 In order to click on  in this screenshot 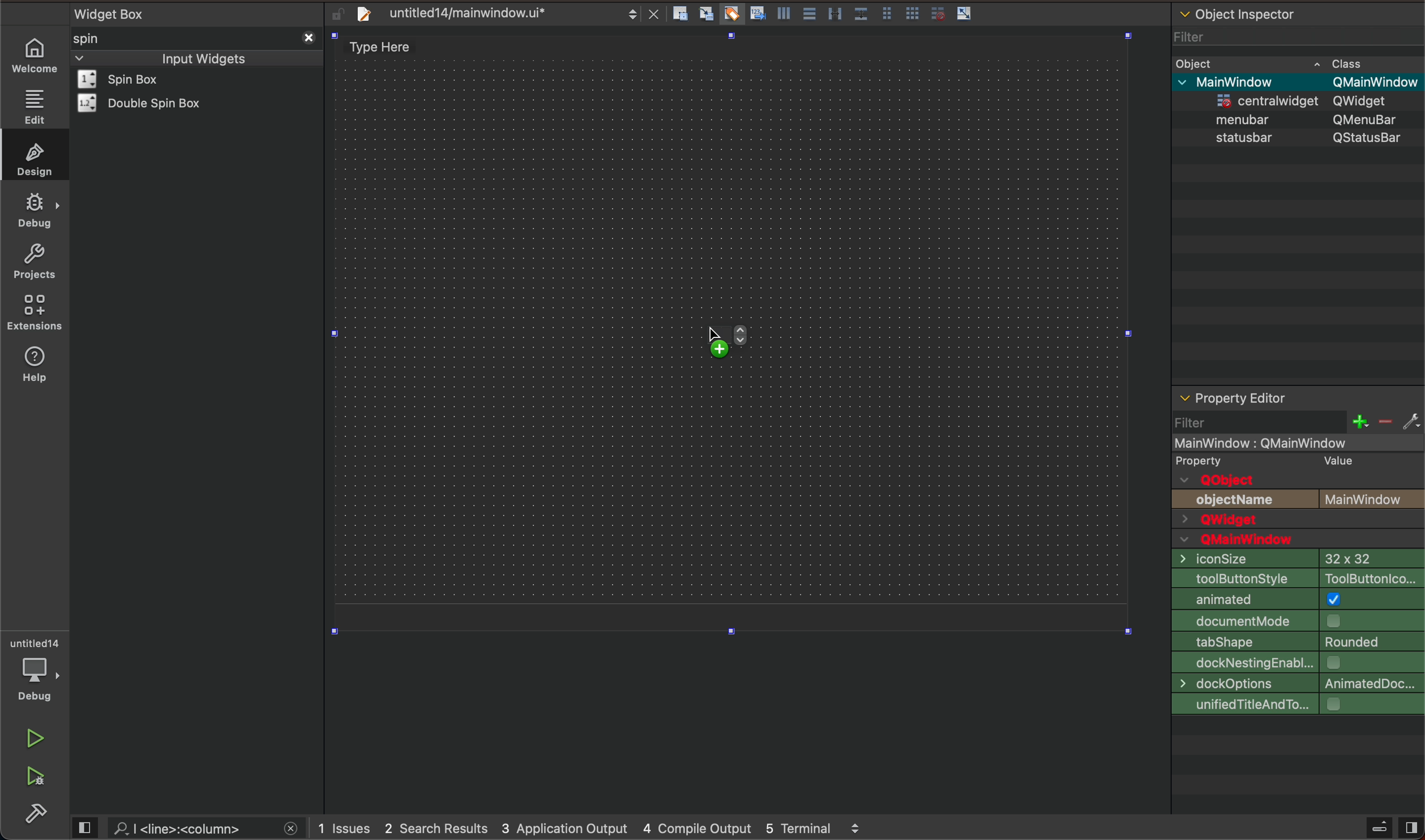, I will do `click(1248, 118)`.